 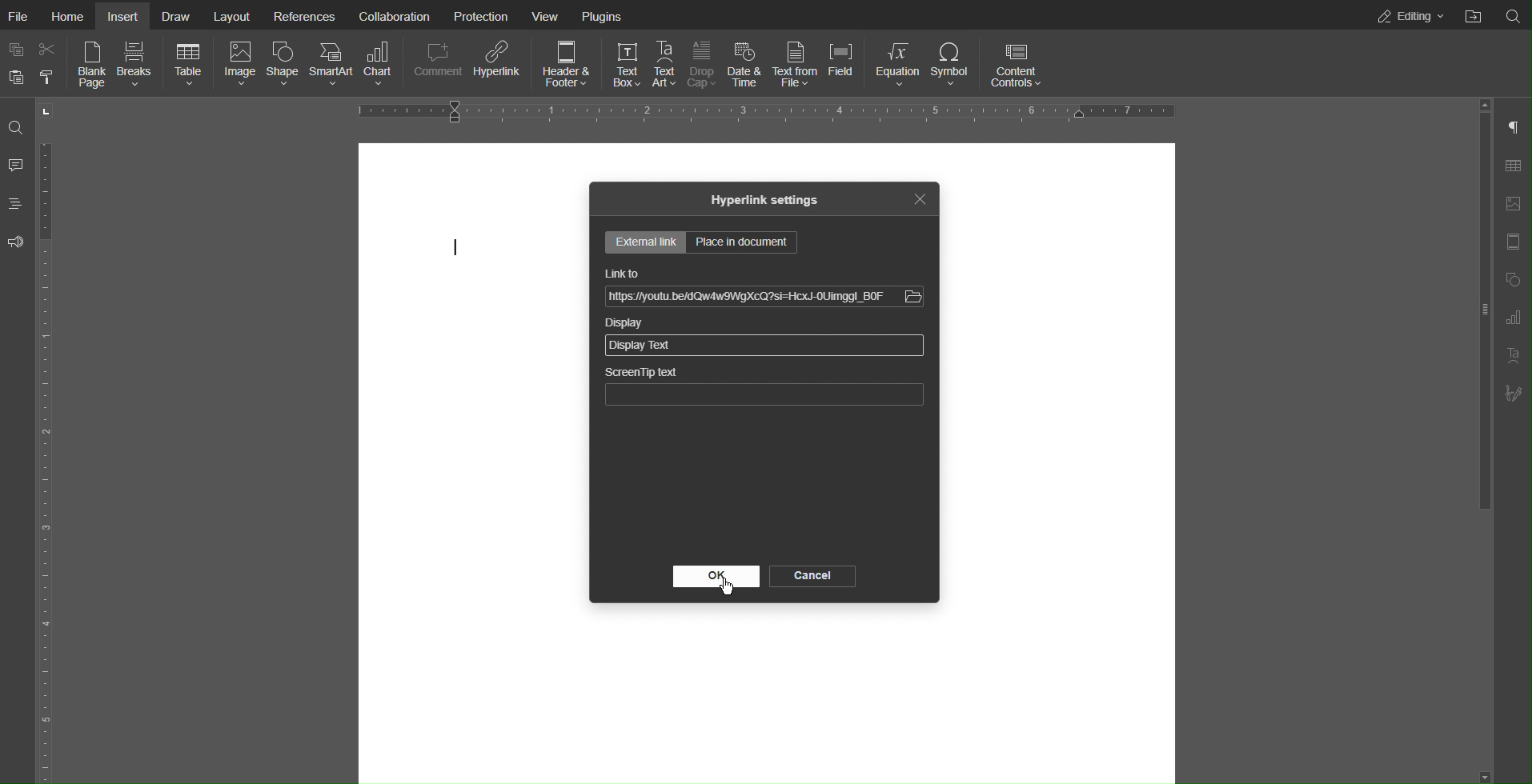 I want to click on Close, so click(x=923, y=199).